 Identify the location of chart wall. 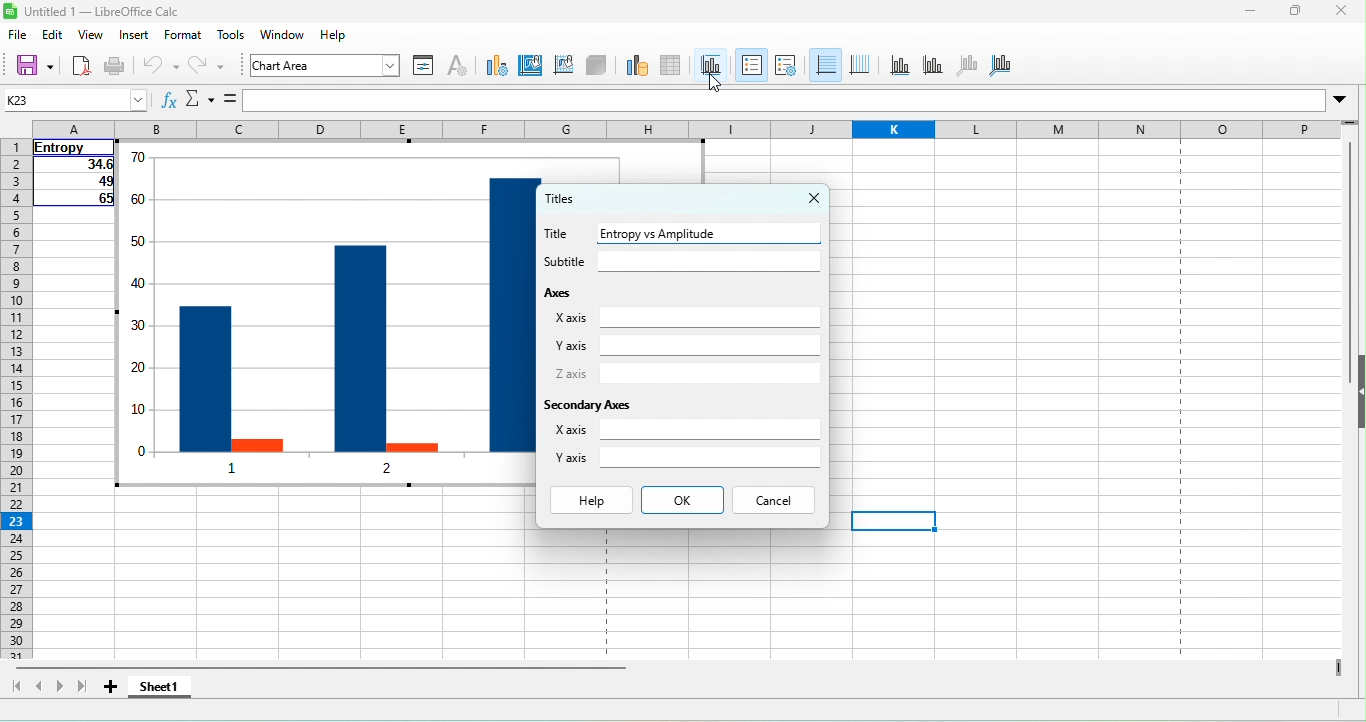
(565, 69).